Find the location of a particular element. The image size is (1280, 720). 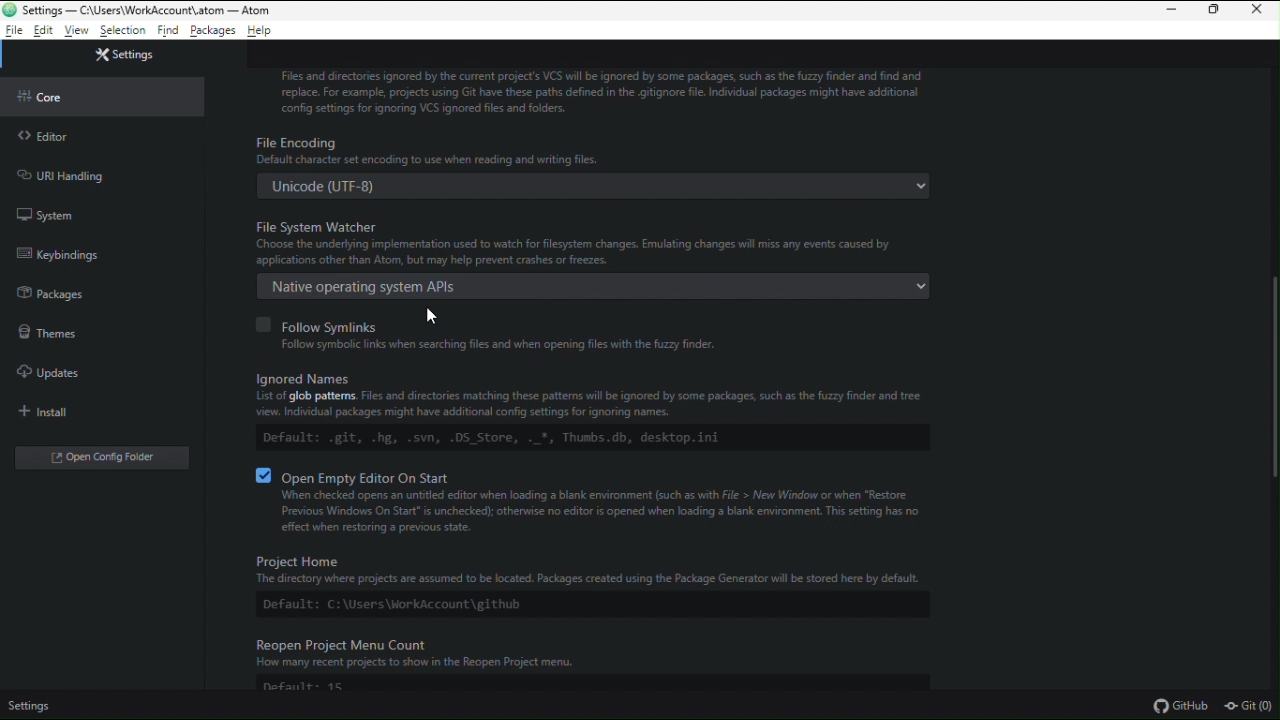

Settings is located at coordinates (123, 53).